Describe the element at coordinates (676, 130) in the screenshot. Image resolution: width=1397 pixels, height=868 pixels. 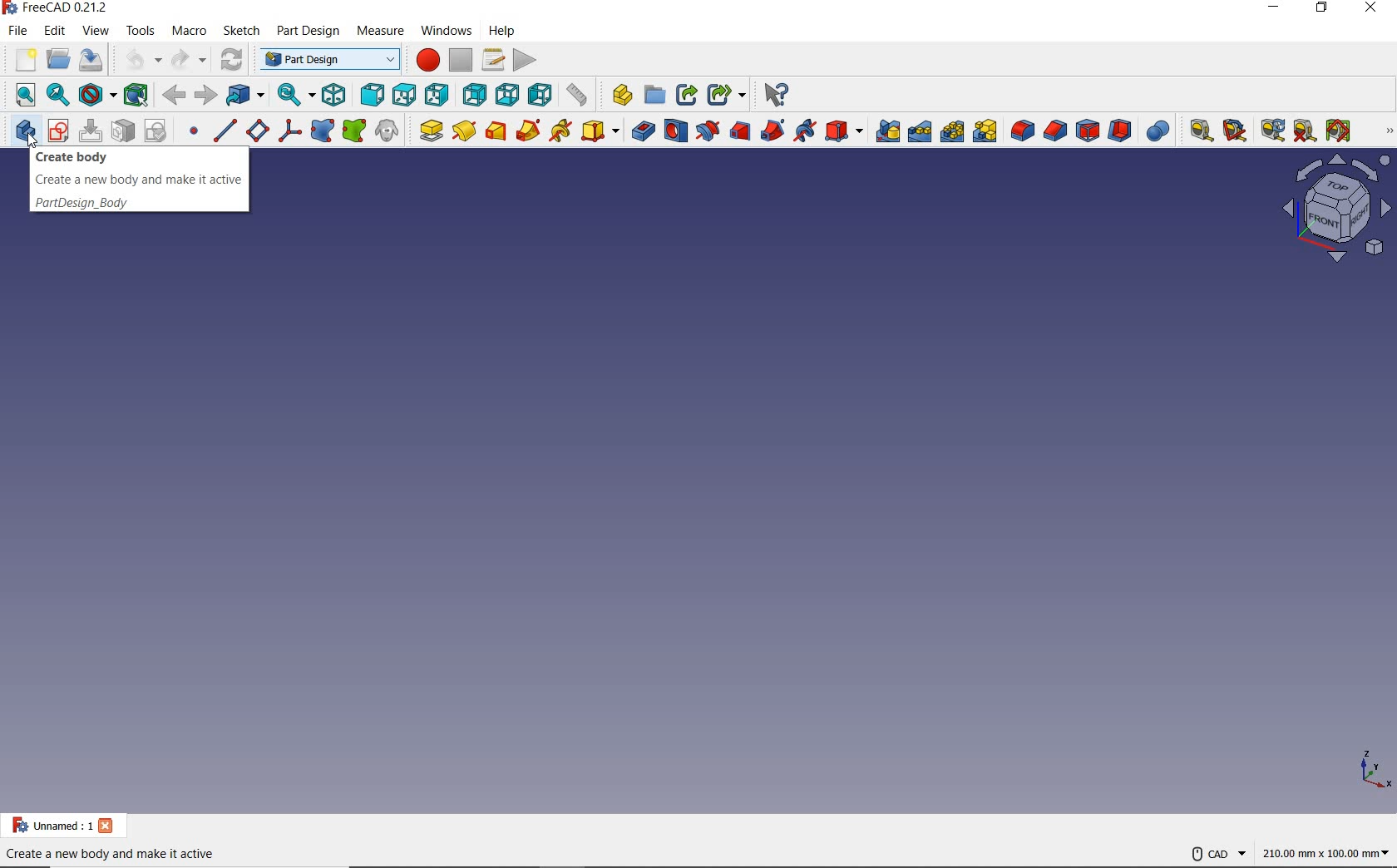
I see `HOLE` at that location.